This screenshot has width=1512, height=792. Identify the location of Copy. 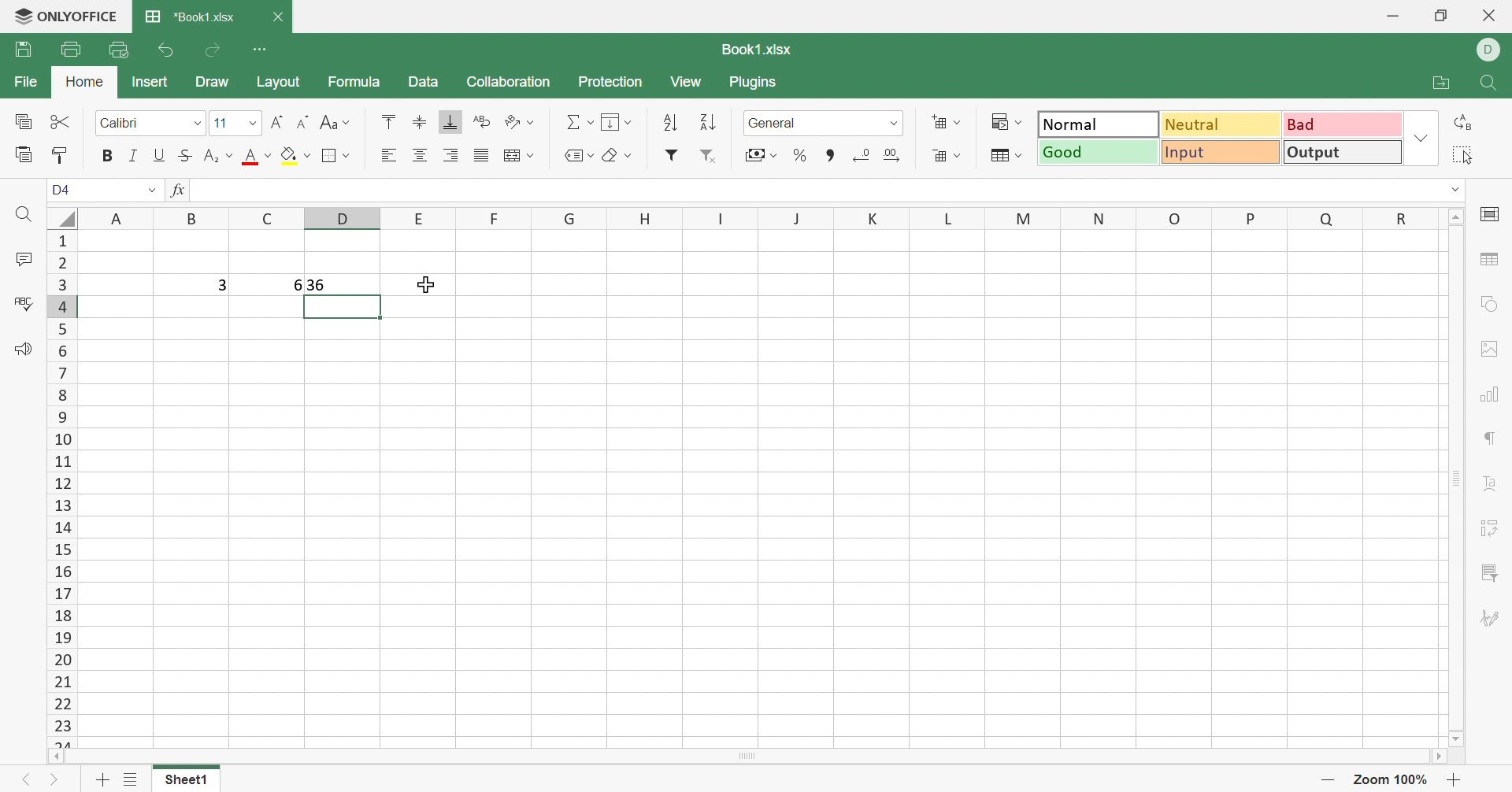
(23, 120).